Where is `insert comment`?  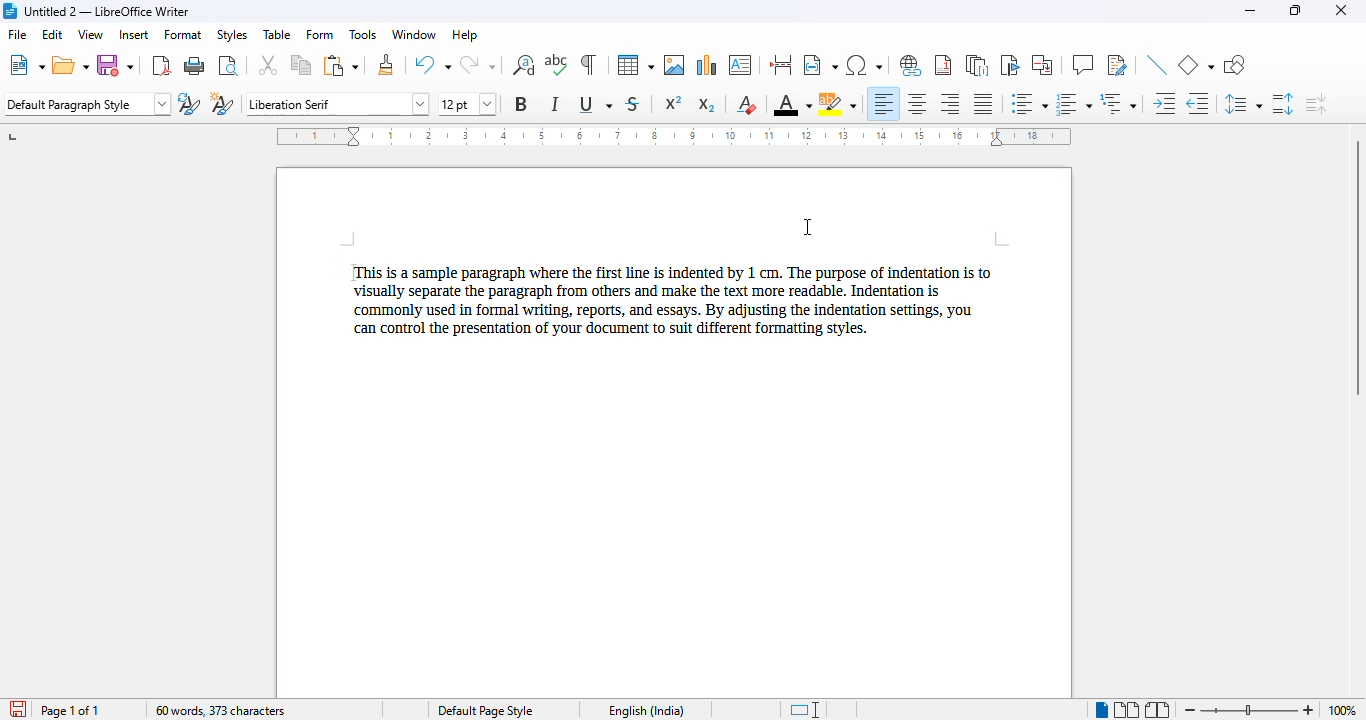 insert comment is located at coordinates (1083, 64).